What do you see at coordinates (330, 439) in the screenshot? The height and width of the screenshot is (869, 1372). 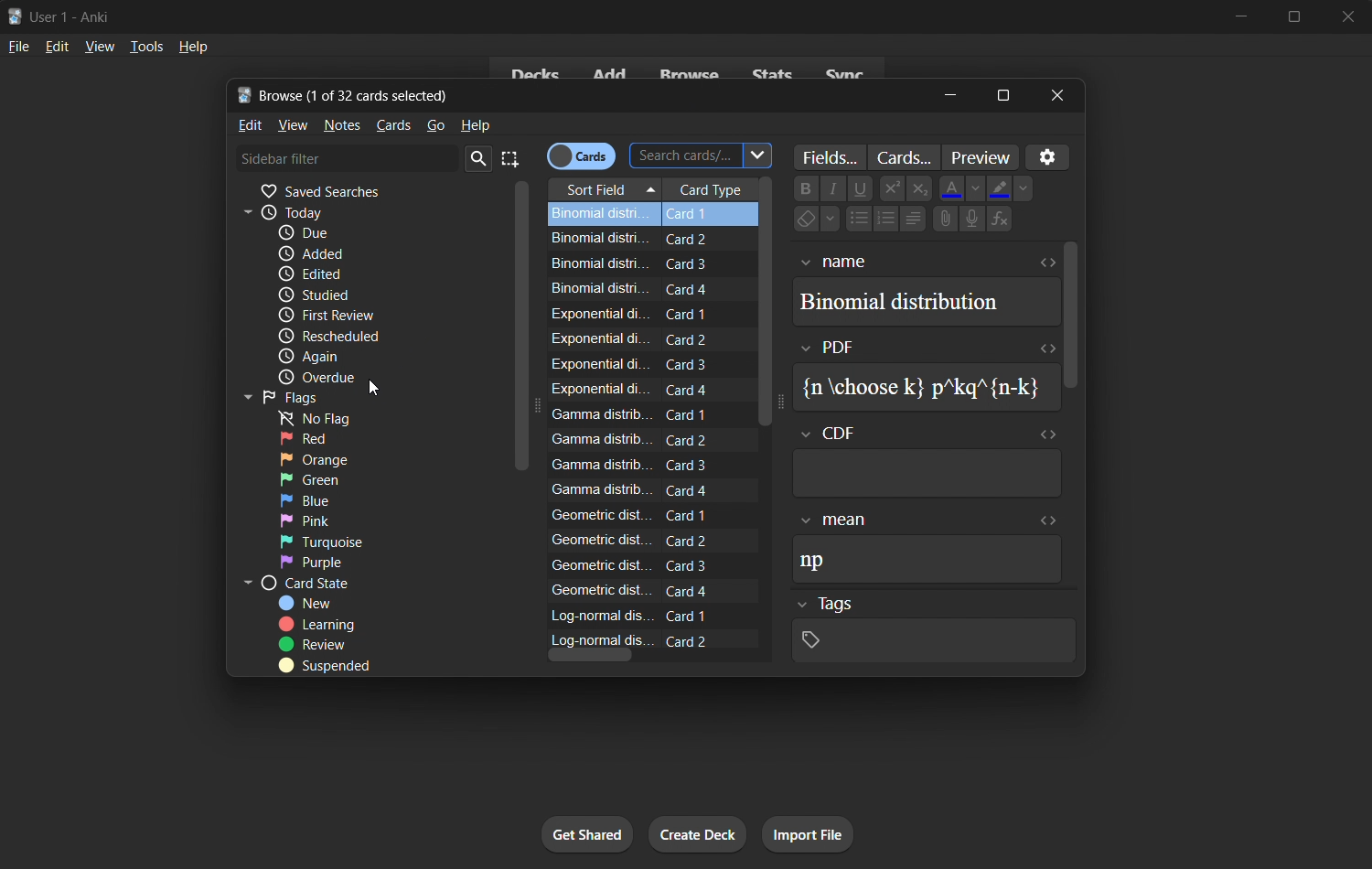 I see `red` at bounding box center [330, 439].